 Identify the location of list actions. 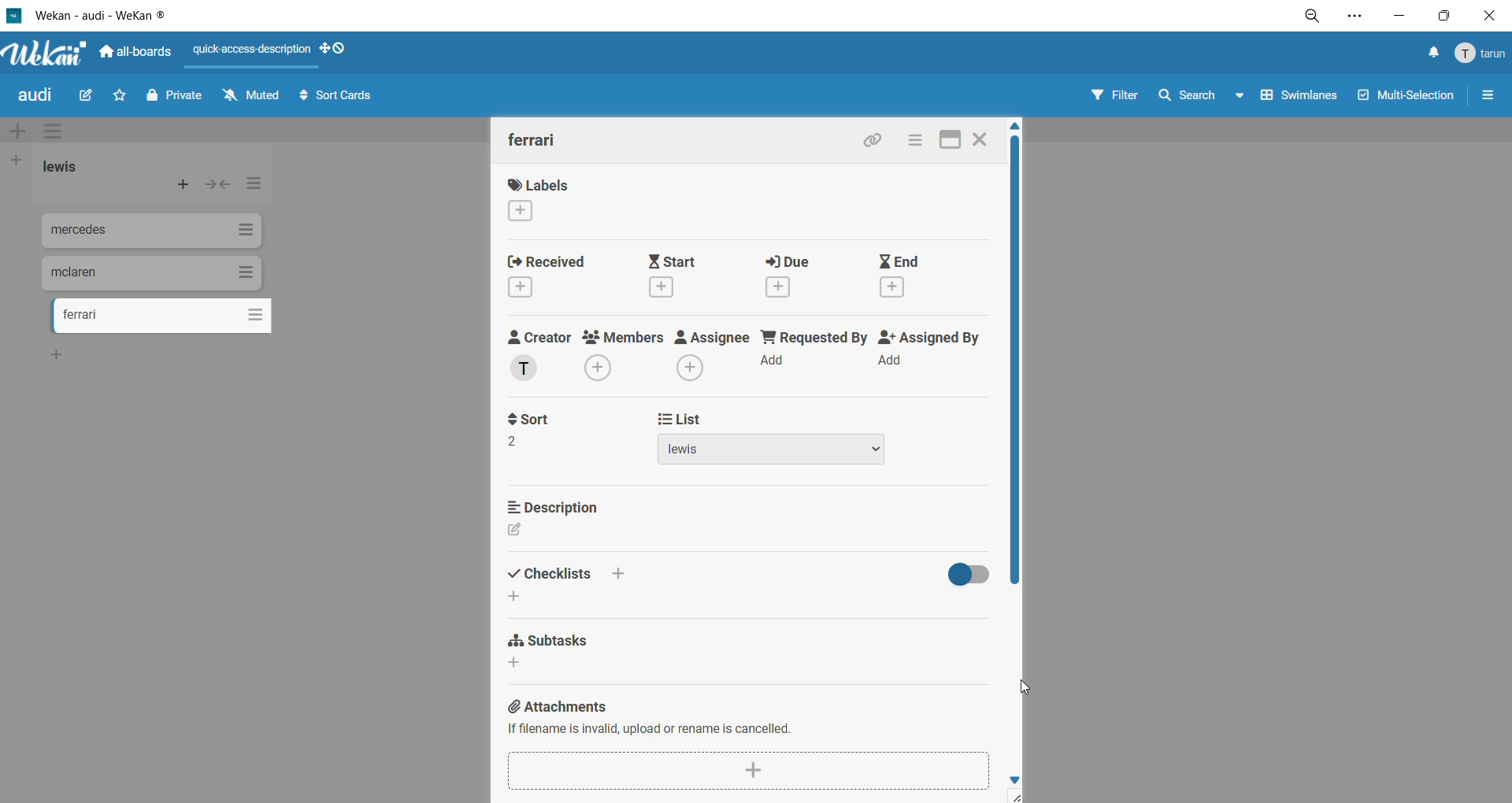
(251, 187).